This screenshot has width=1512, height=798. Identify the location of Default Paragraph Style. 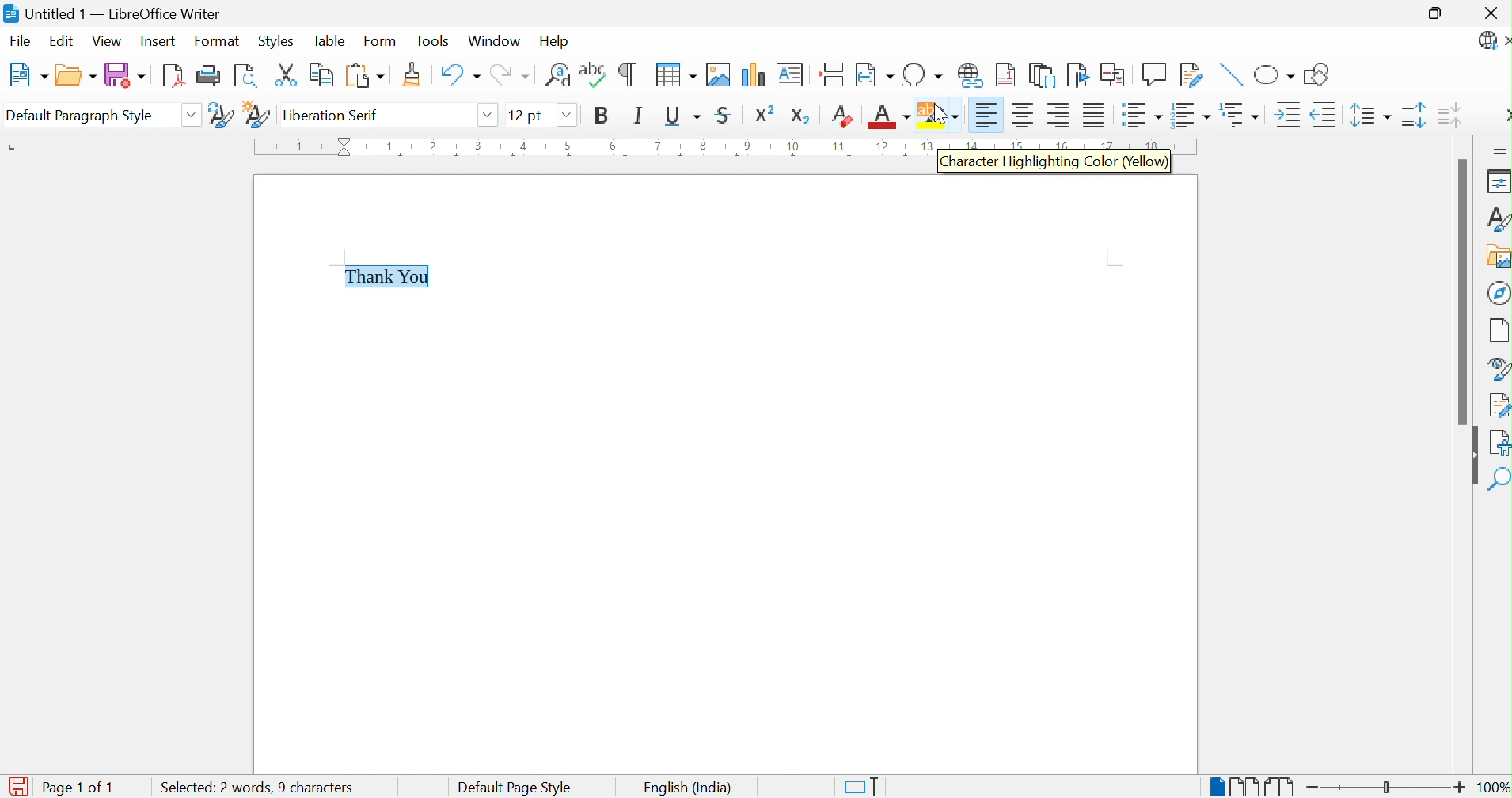
(80, 114).